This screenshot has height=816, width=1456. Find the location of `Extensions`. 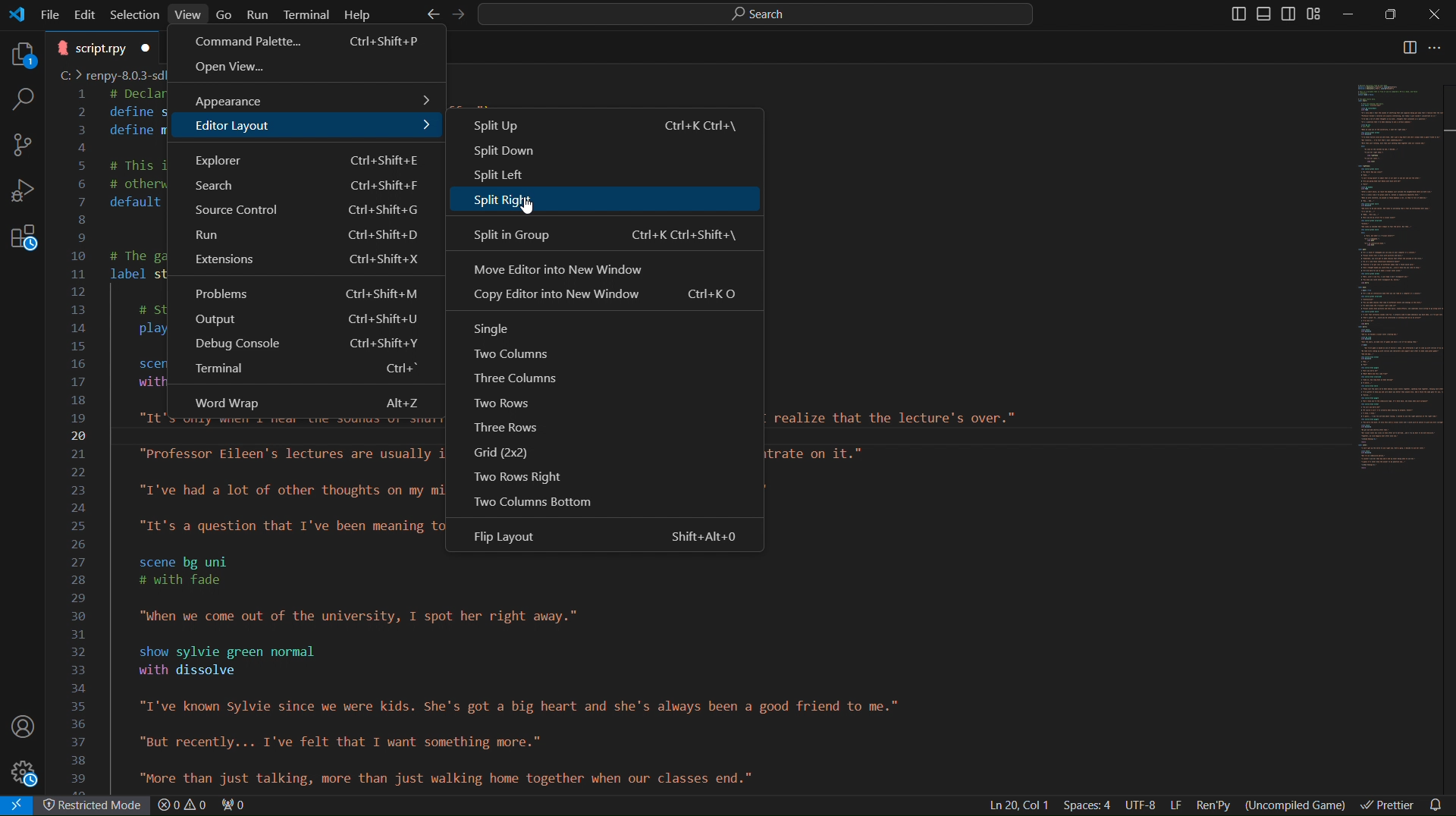

Extensions is located at coordinates (23, 244).